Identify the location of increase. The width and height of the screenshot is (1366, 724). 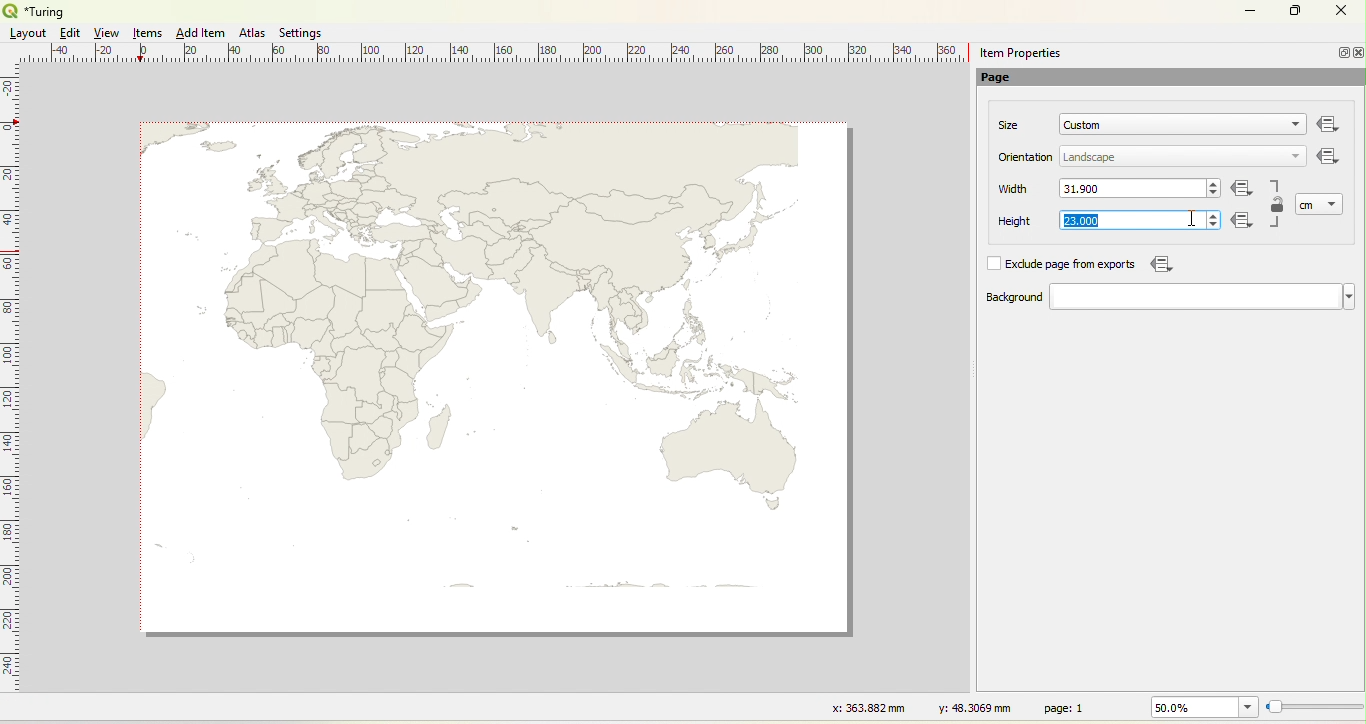
(1211, 214).